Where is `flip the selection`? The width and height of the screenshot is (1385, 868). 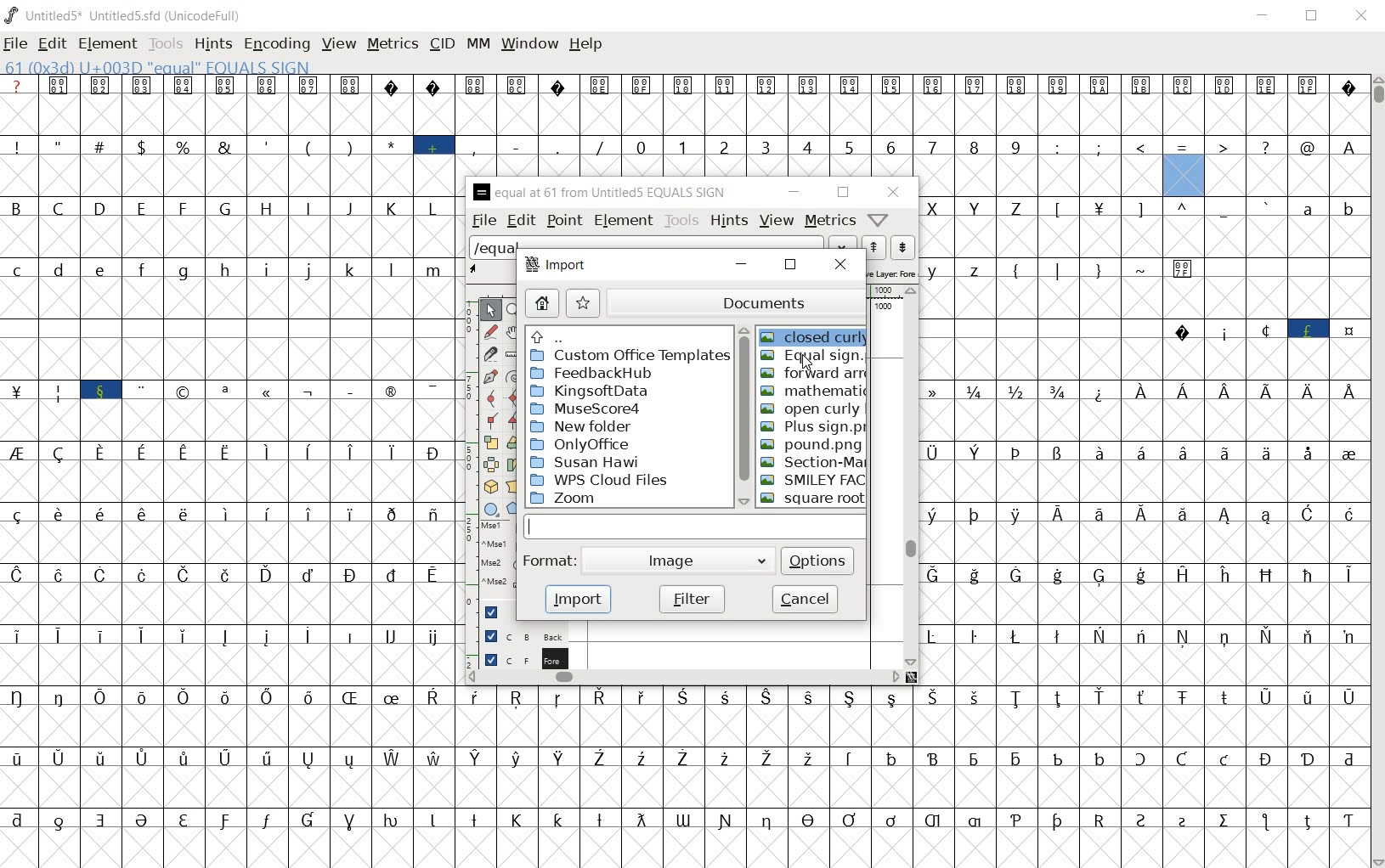 flip the selection is located at coordinates (491, 465).